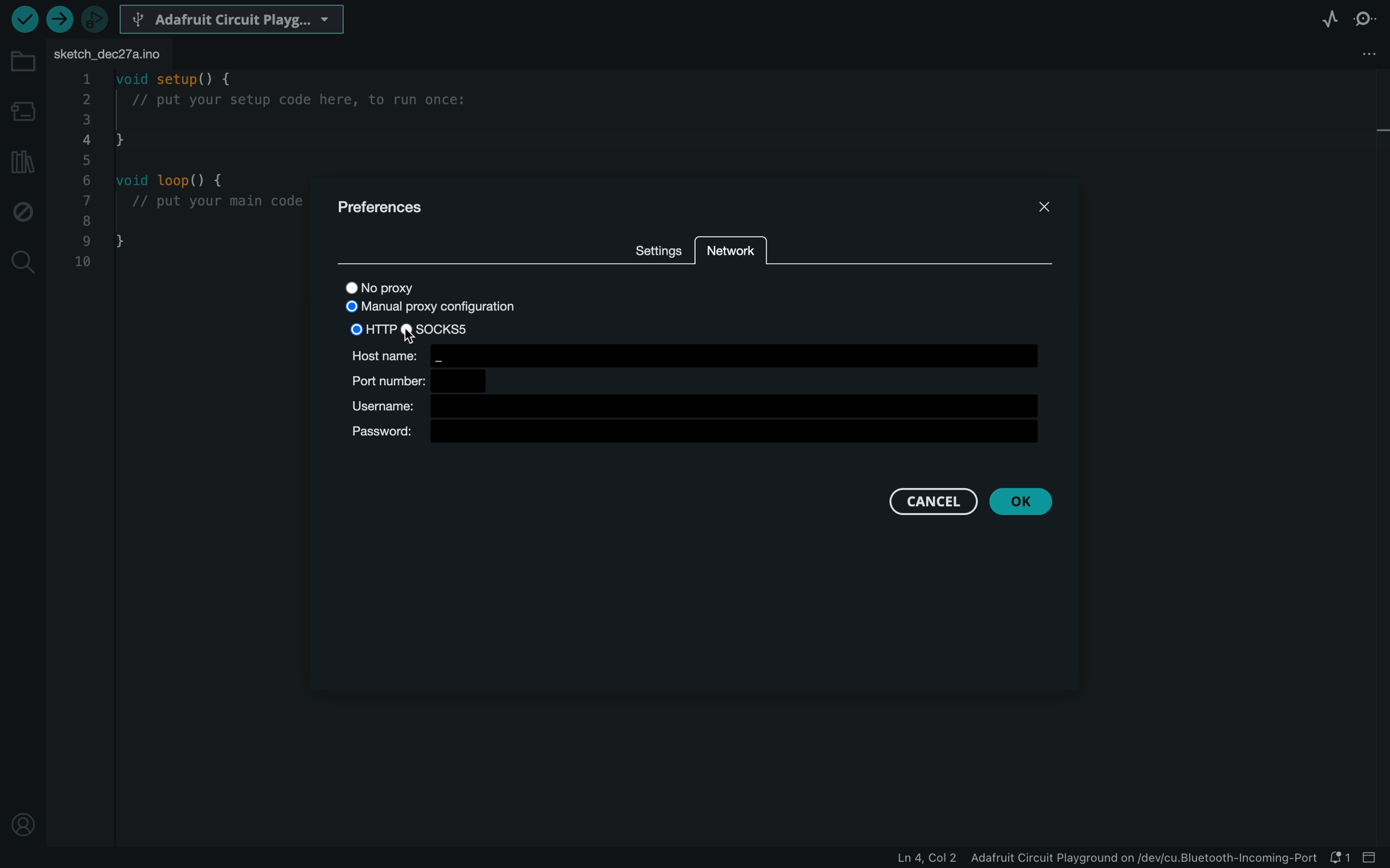 Image resolution: width=1390 pixels, height=868 pixels. What do you see at coordinates (927, 505) in the screenshot?
I see `cancel` at bounding box center [927, 505].